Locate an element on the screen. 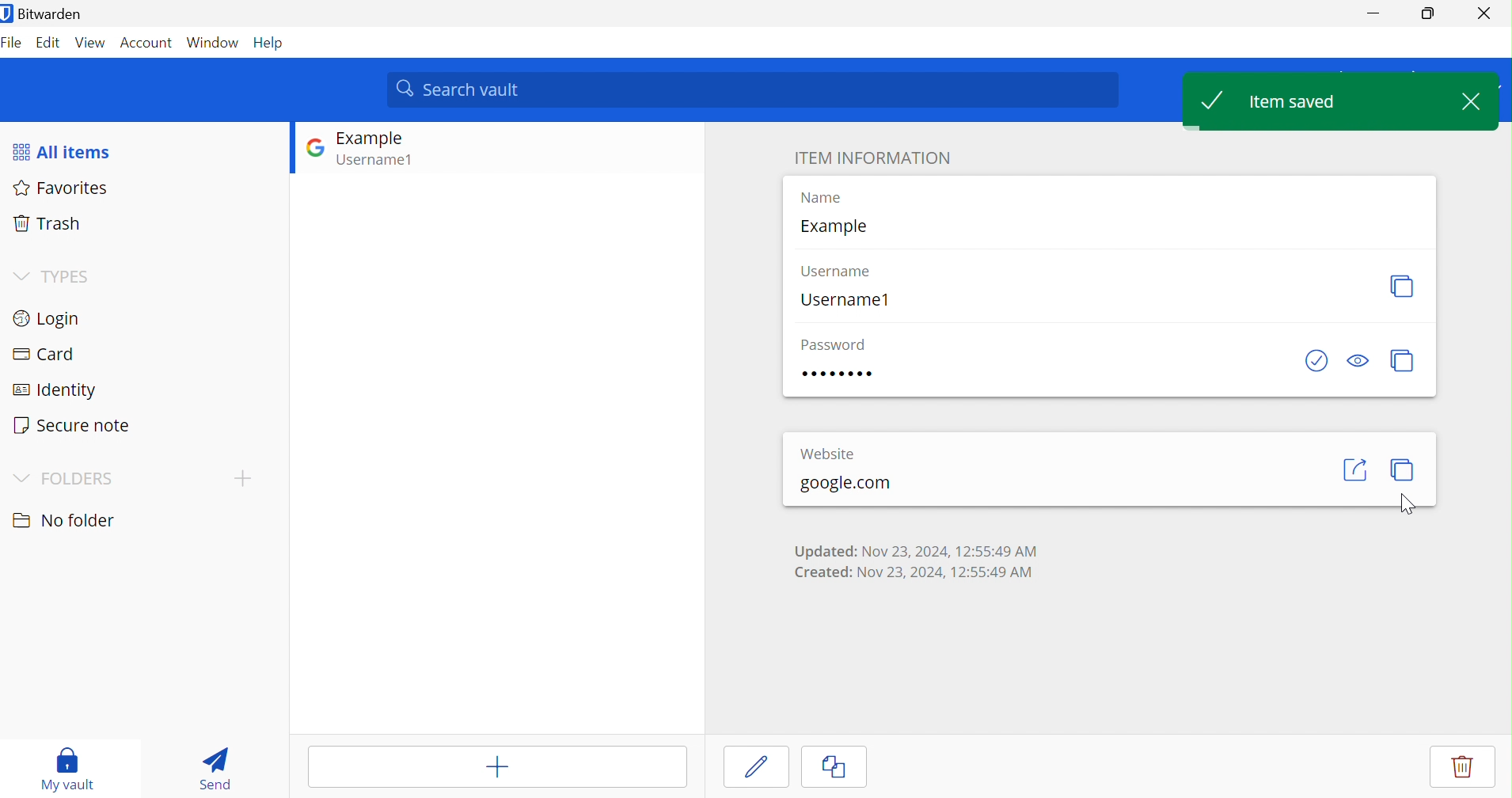  Account is located at coordinates (146, 42).